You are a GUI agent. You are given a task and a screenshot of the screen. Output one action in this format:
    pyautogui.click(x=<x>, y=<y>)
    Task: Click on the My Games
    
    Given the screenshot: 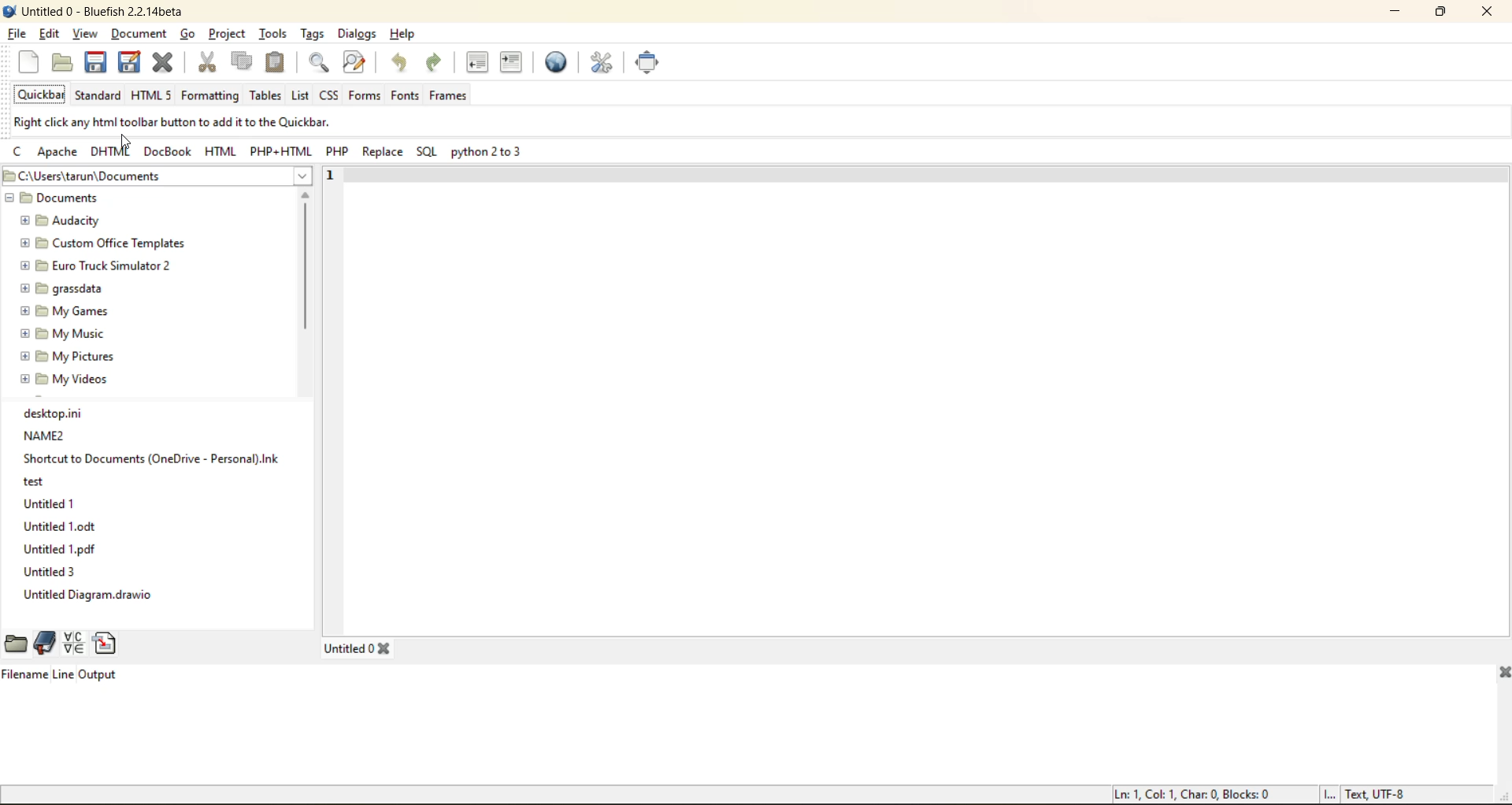 What is the action you would take?
    pyautogui.click(x=62, y=309)
    